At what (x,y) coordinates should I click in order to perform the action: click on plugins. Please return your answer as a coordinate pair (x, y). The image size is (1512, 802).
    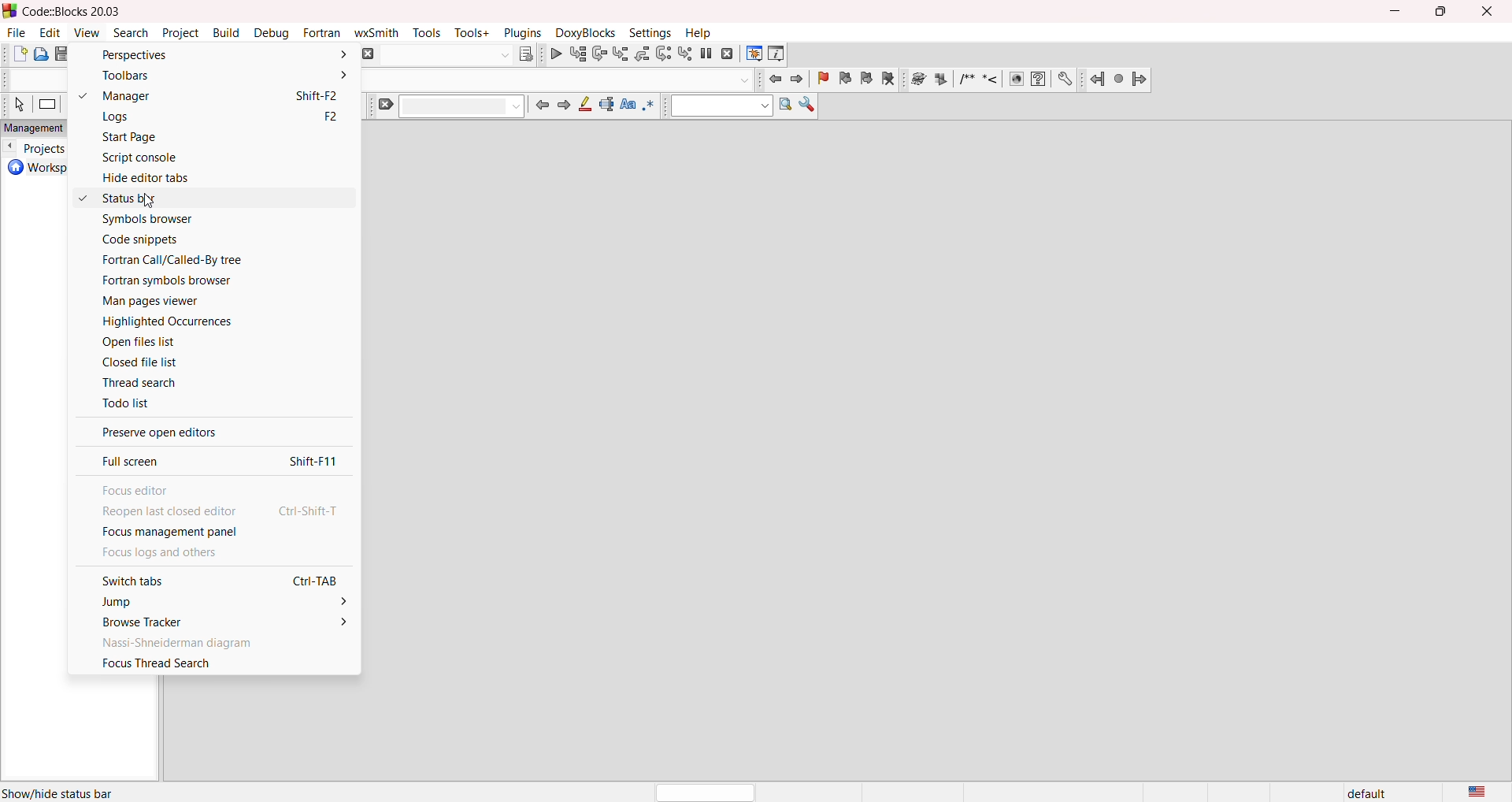
    Looking at the image, I should click on (523, 33).